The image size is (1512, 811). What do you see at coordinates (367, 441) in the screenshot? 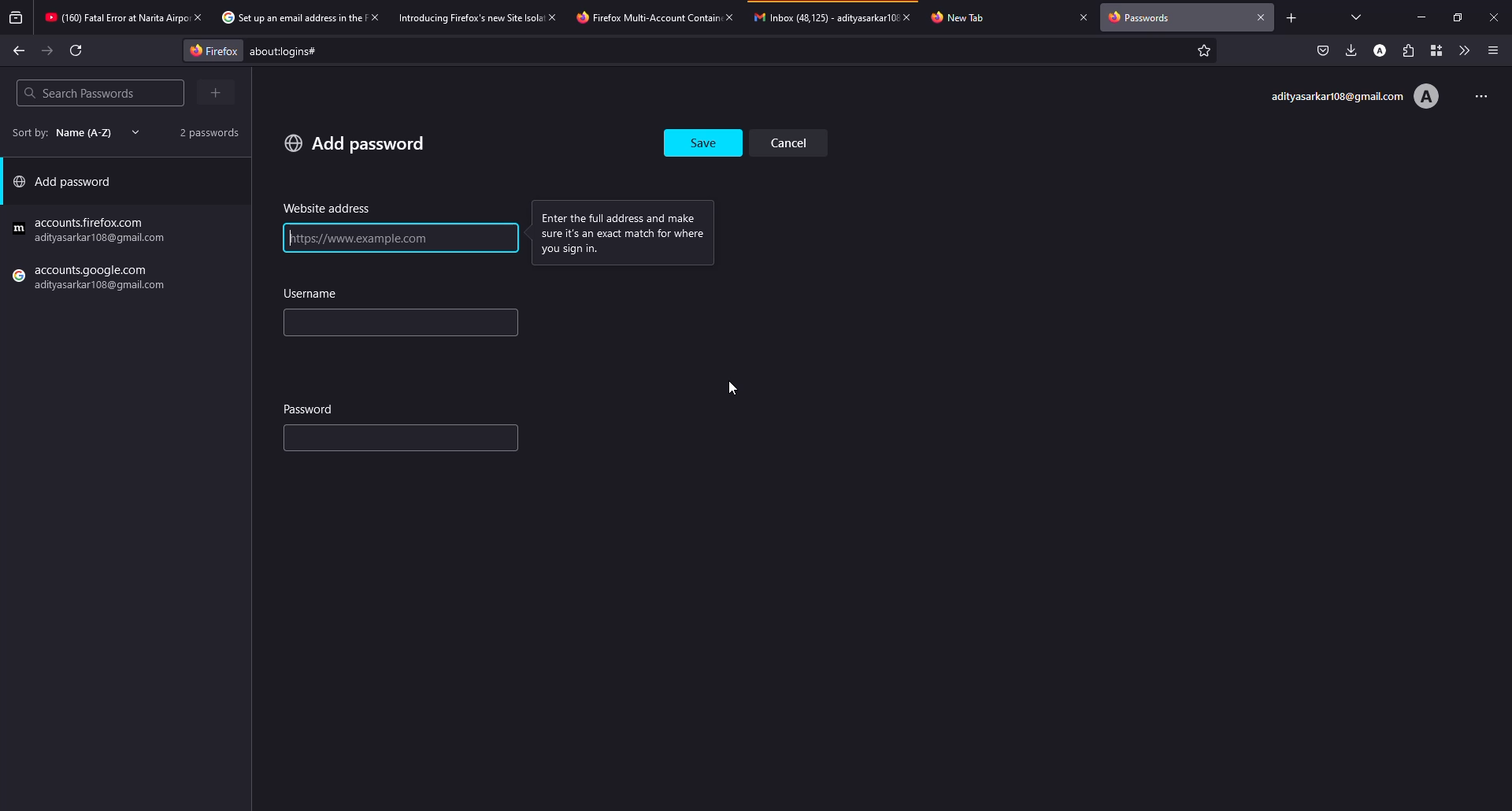
I see `type` at bounding box center [367, 441].